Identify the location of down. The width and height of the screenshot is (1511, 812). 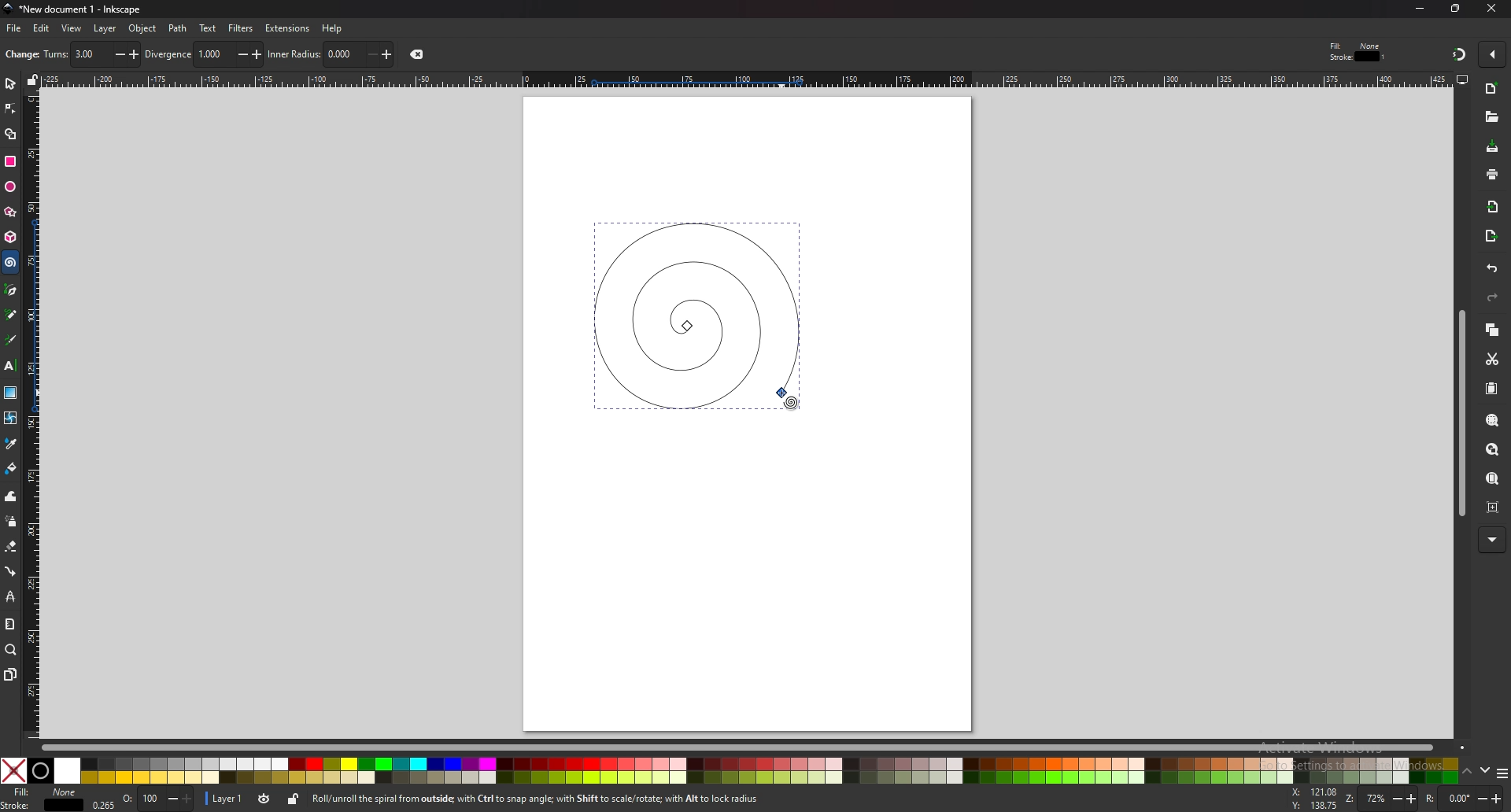
(1484, 770).